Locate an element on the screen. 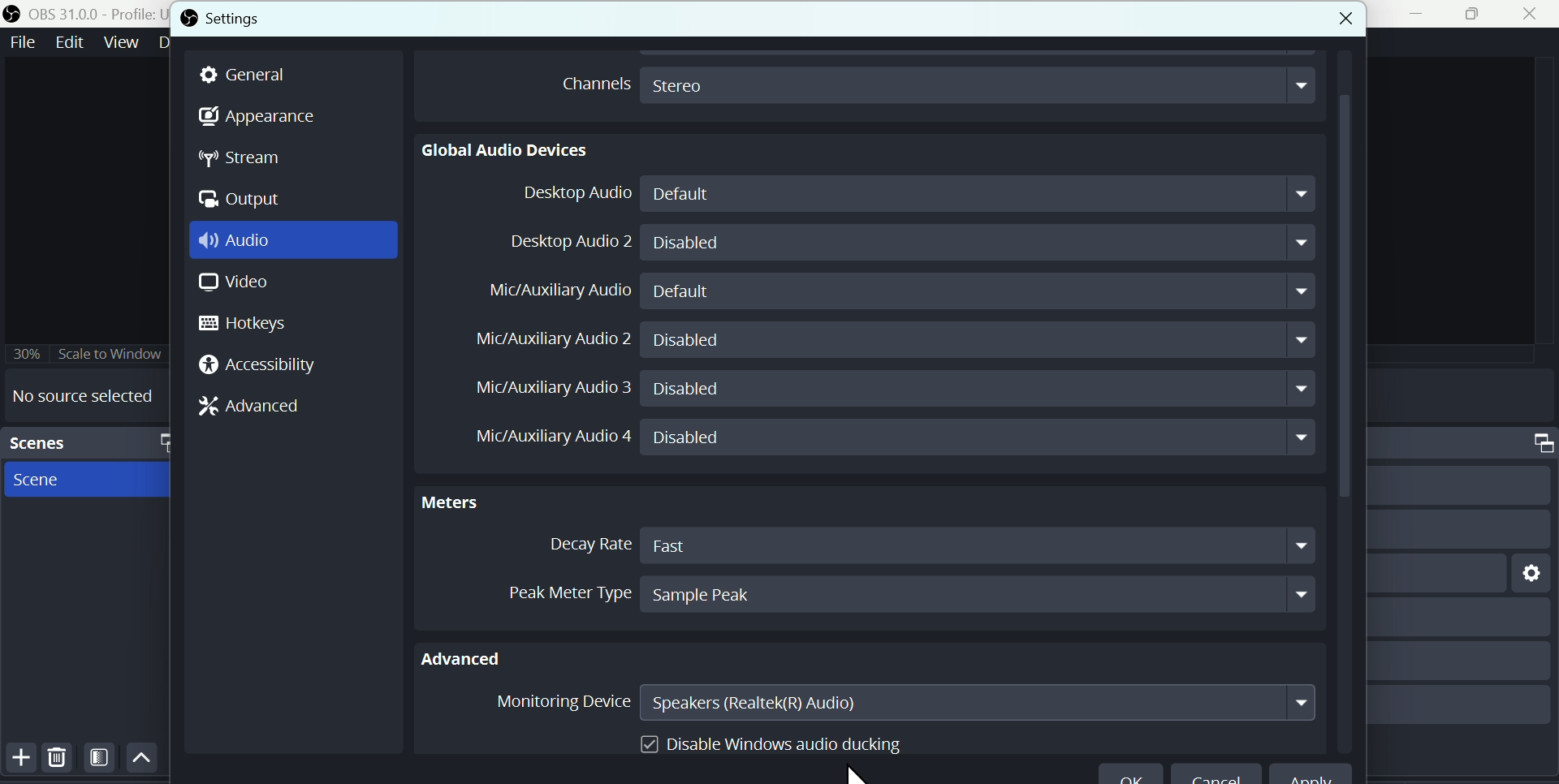 This screenshot has height=784, width=1559. Mic Auxiliary Audio is located at coordinates (562, 291).